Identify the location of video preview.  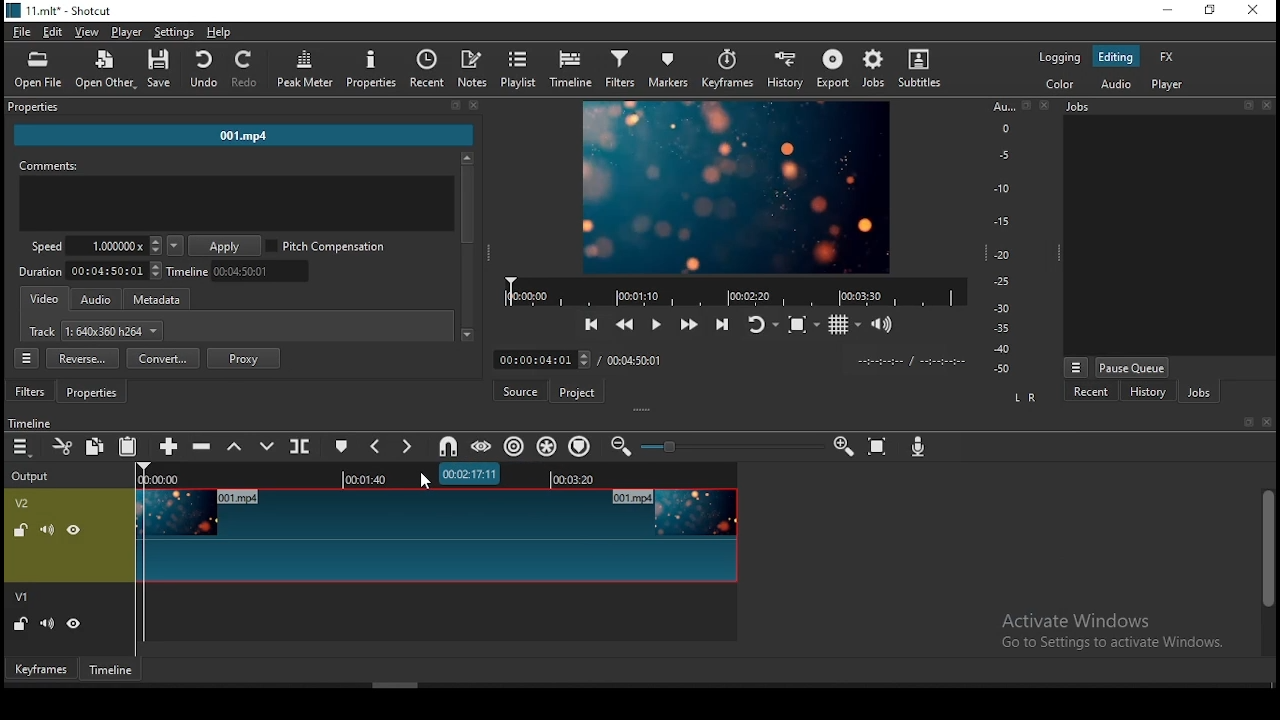
(734, 189).